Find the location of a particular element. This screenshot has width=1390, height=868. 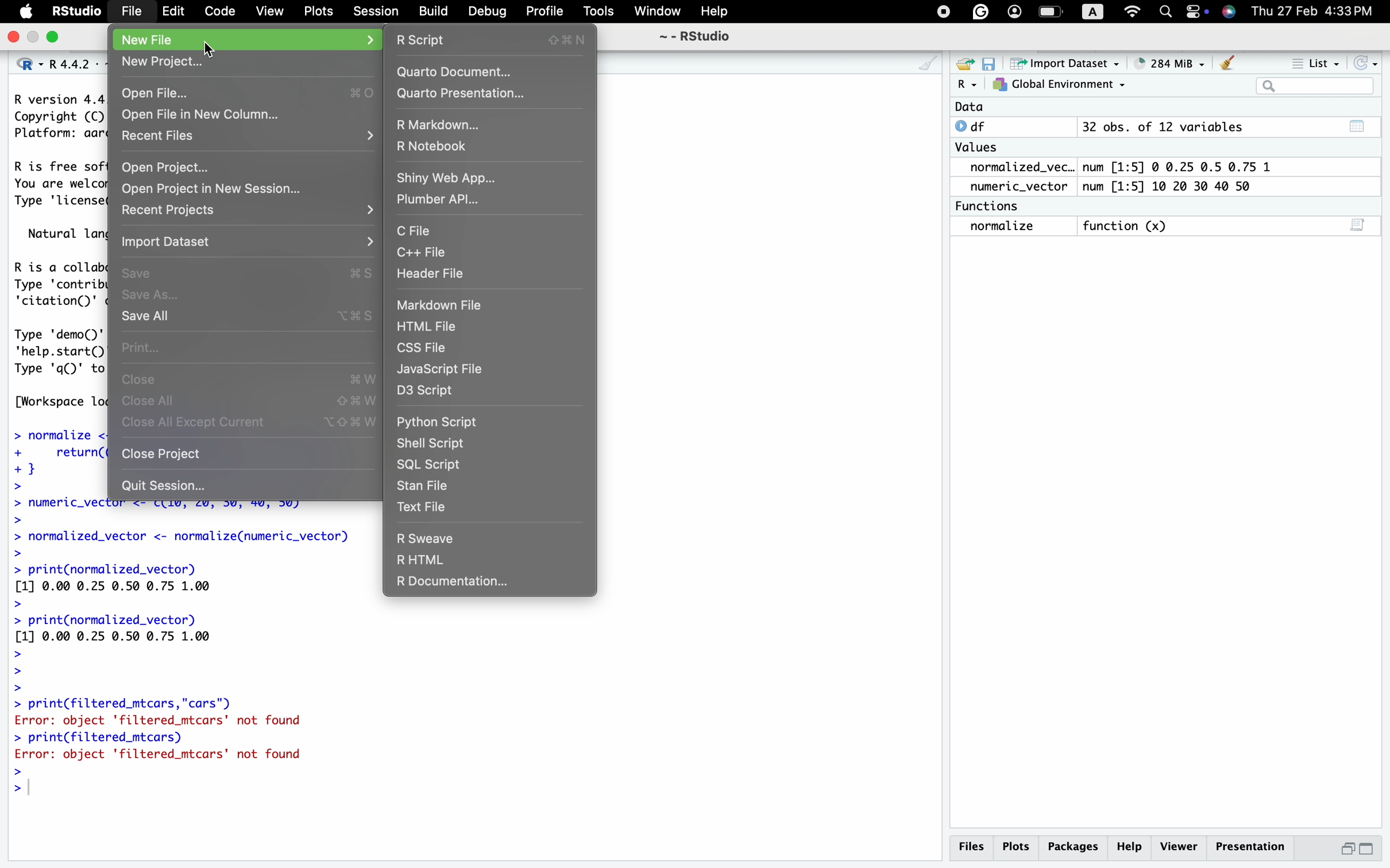

Tools is located at coordinates (601, 10).